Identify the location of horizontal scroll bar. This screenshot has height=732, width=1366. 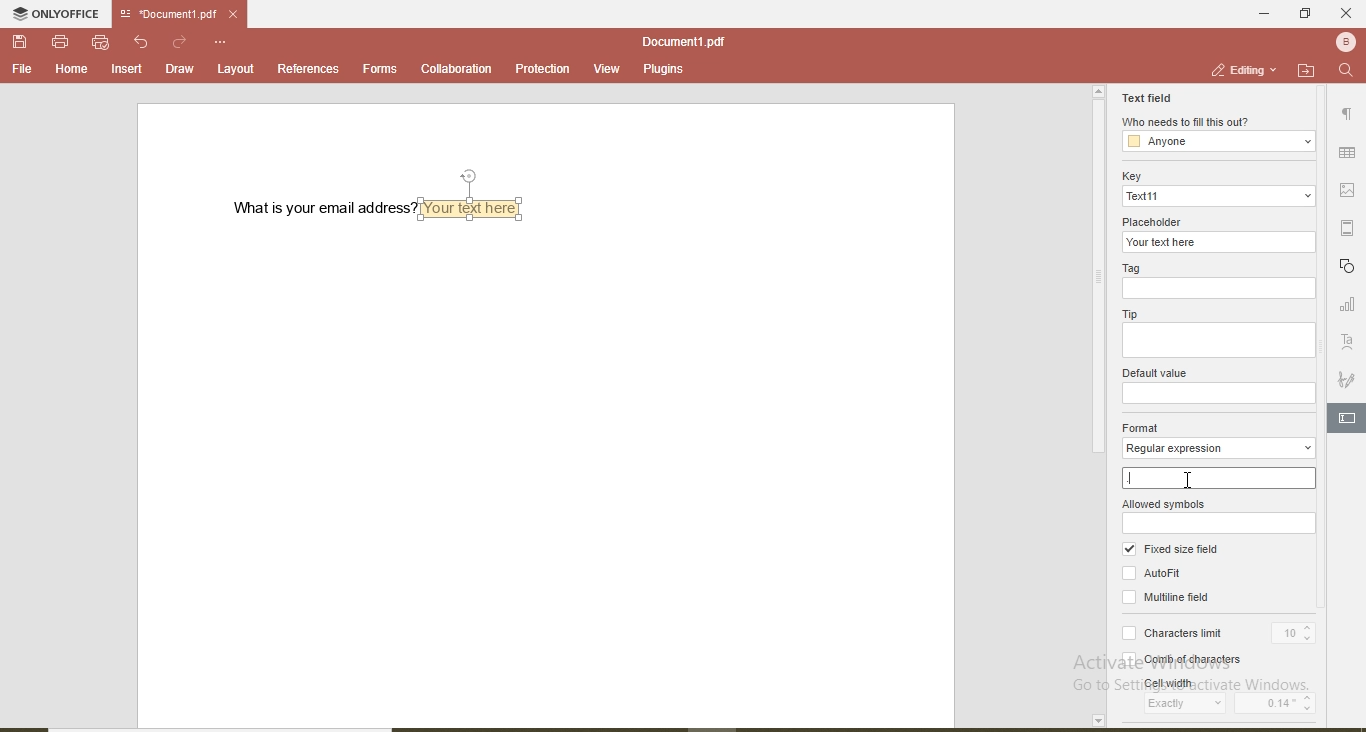
(235, 726).